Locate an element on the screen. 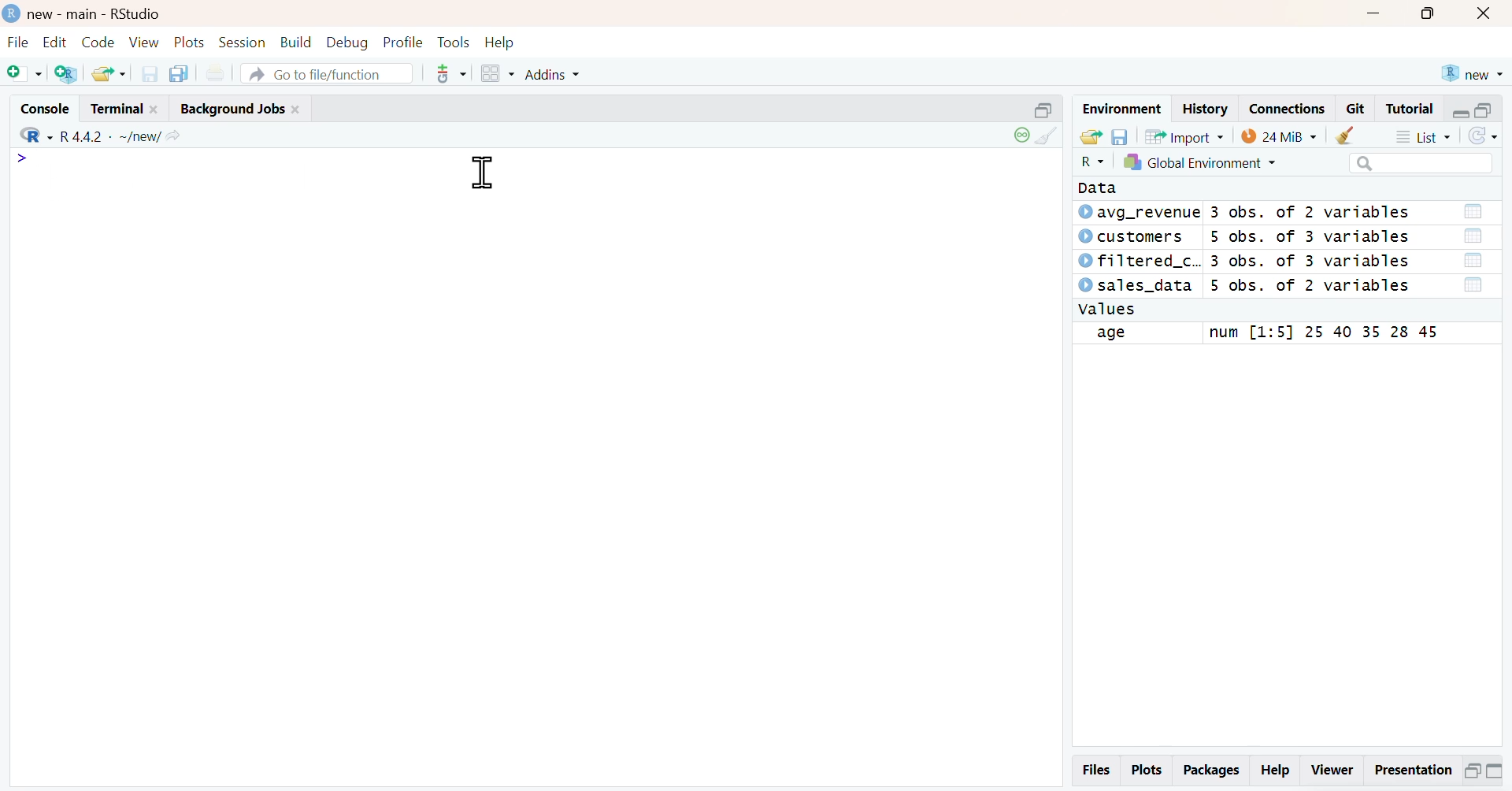 The image size is (1512, 791). minimize is located at coordinates (1046, 109).